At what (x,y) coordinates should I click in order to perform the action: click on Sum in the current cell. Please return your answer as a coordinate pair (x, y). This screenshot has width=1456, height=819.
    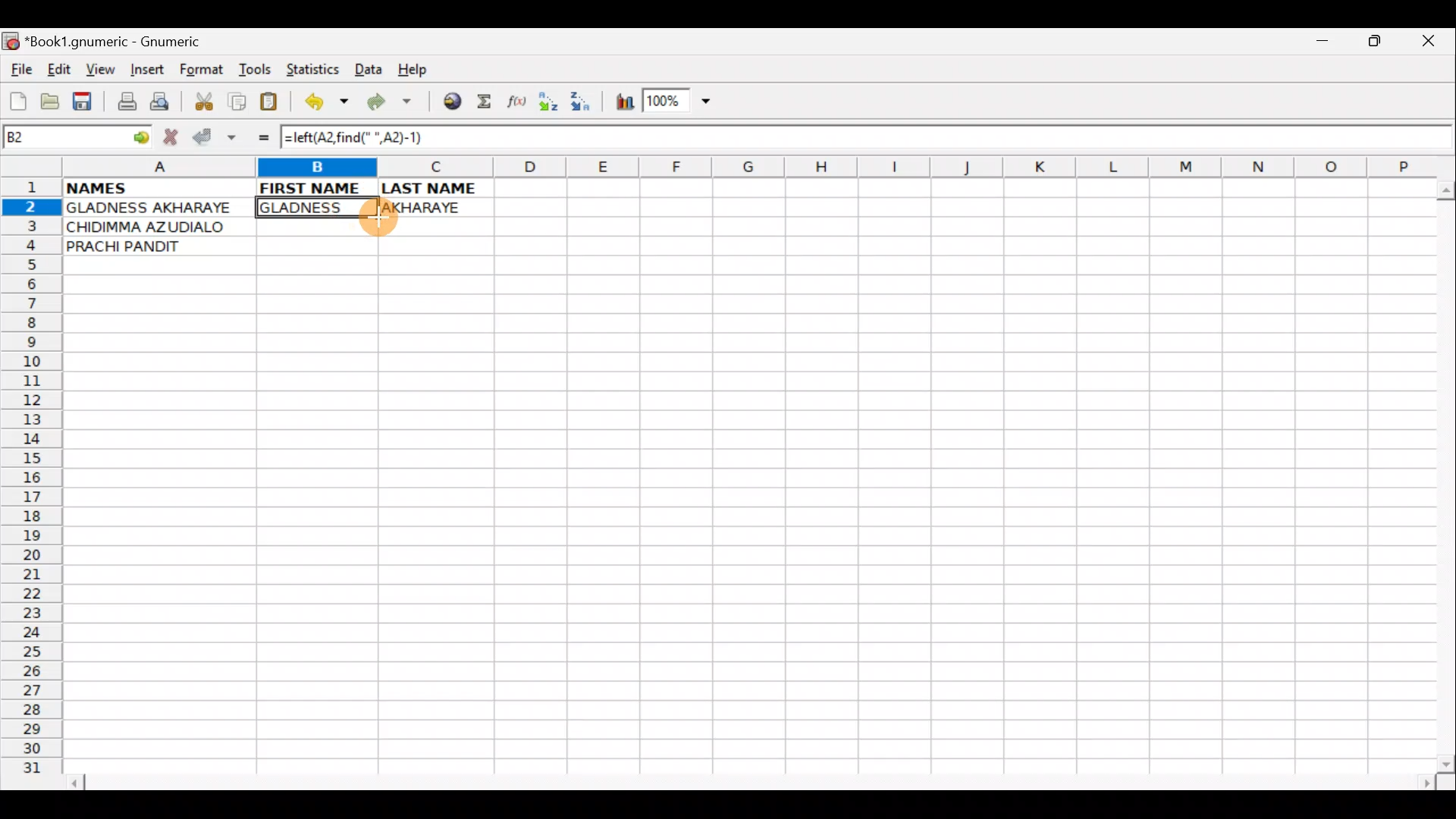
    Looking at the image, I should click on (489, 102).